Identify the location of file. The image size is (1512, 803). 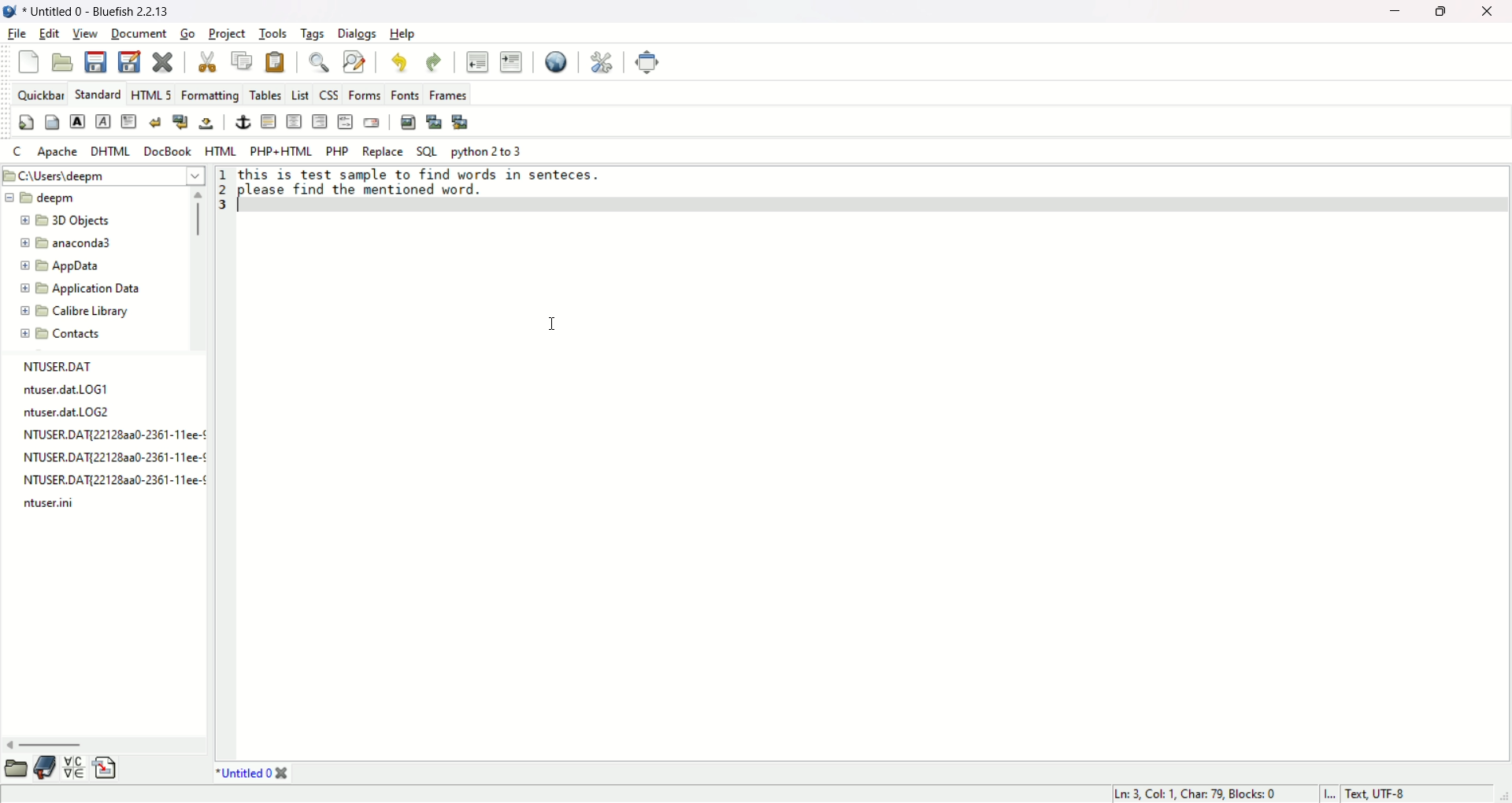
(16, 34).